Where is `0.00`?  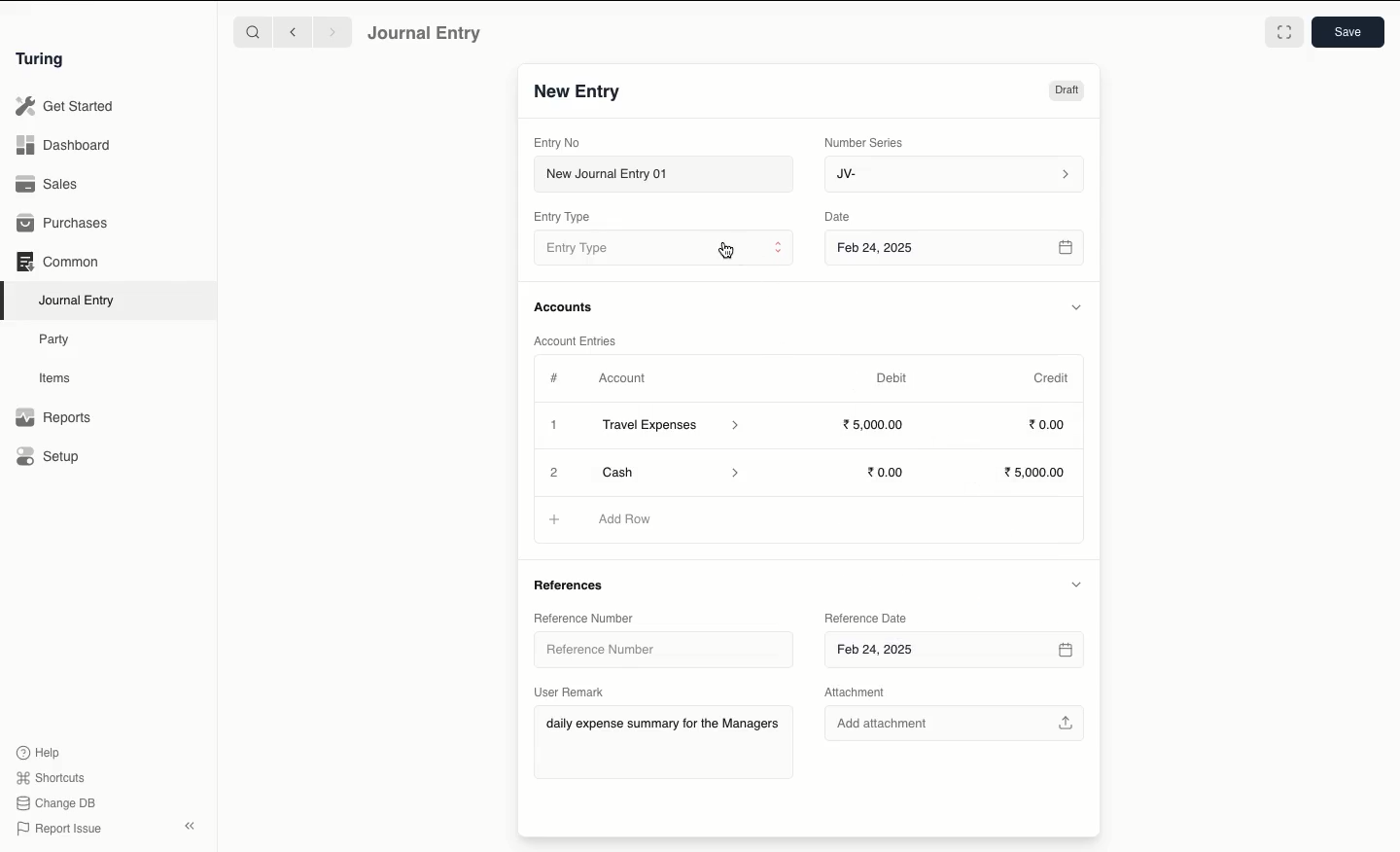
0.00 is located at coordinates (1048, 423).